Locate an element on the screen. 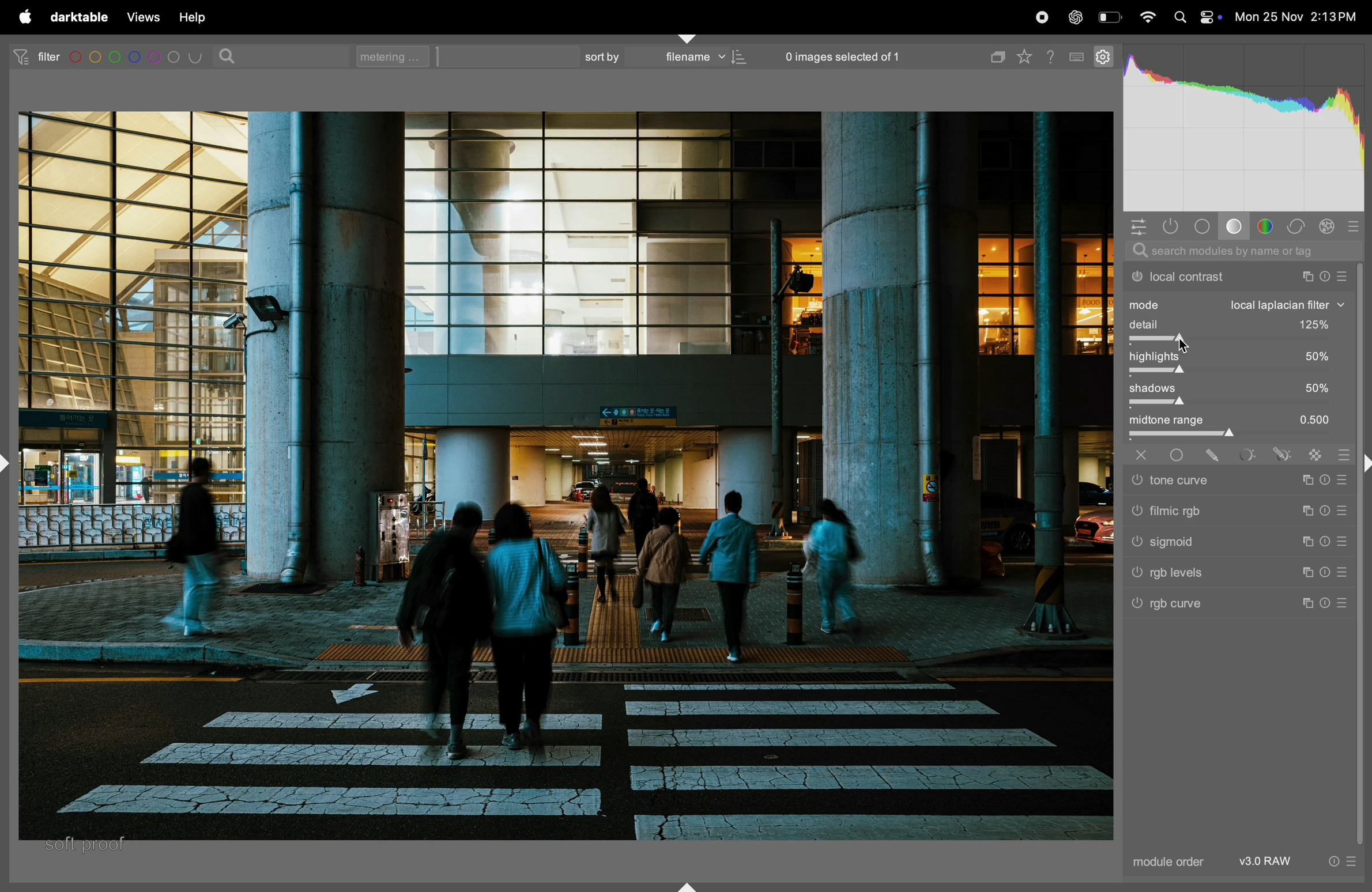 The width and height of the screenshot is (1372, 892). rgb levels switched off is located at coordinates (1136, 574).